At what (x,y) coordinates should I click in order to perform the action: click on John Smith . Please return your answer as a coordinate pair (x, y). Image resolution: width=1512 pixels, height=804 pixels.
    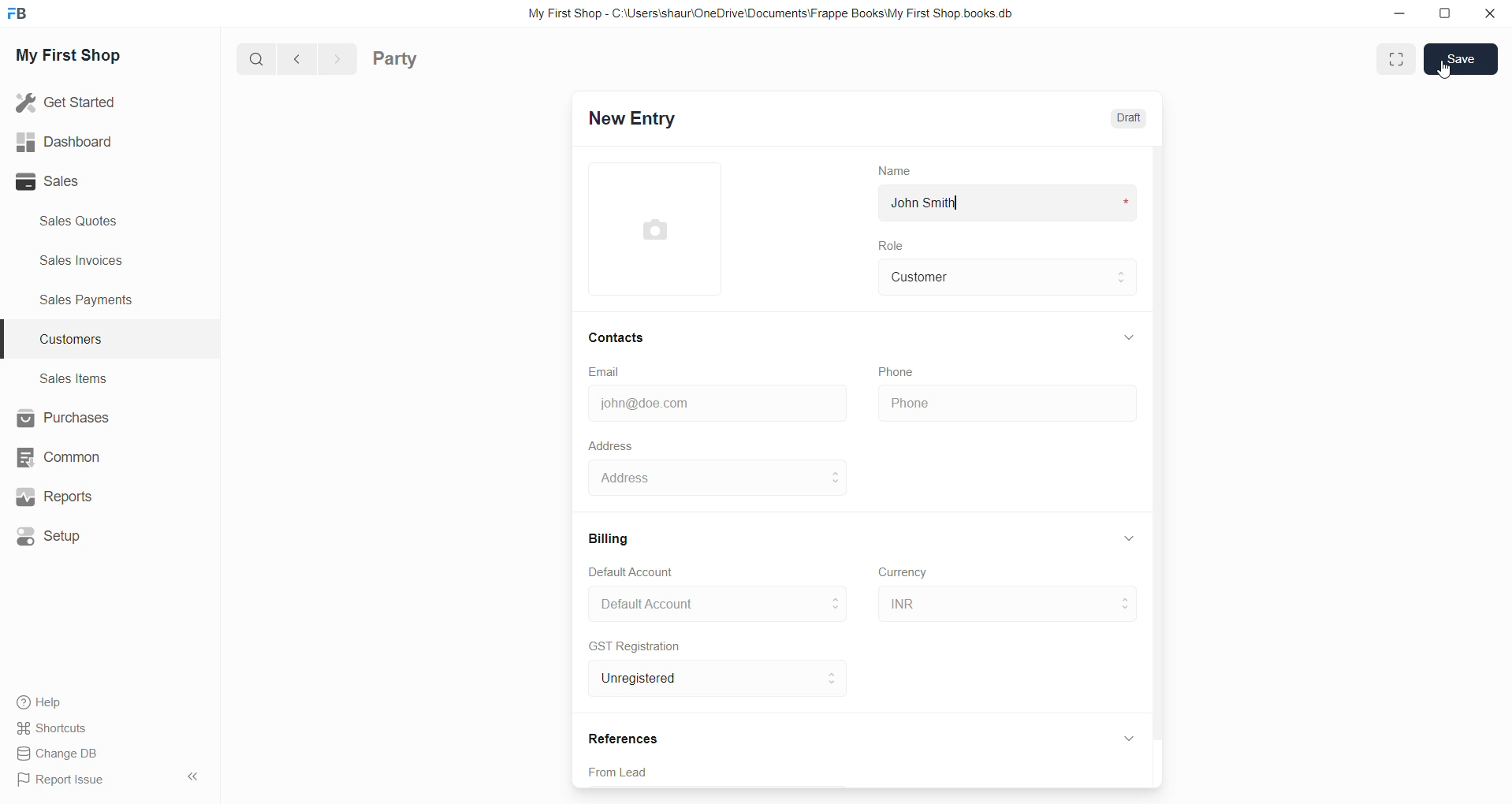
    Looking at the image, I should click on (935, 204).